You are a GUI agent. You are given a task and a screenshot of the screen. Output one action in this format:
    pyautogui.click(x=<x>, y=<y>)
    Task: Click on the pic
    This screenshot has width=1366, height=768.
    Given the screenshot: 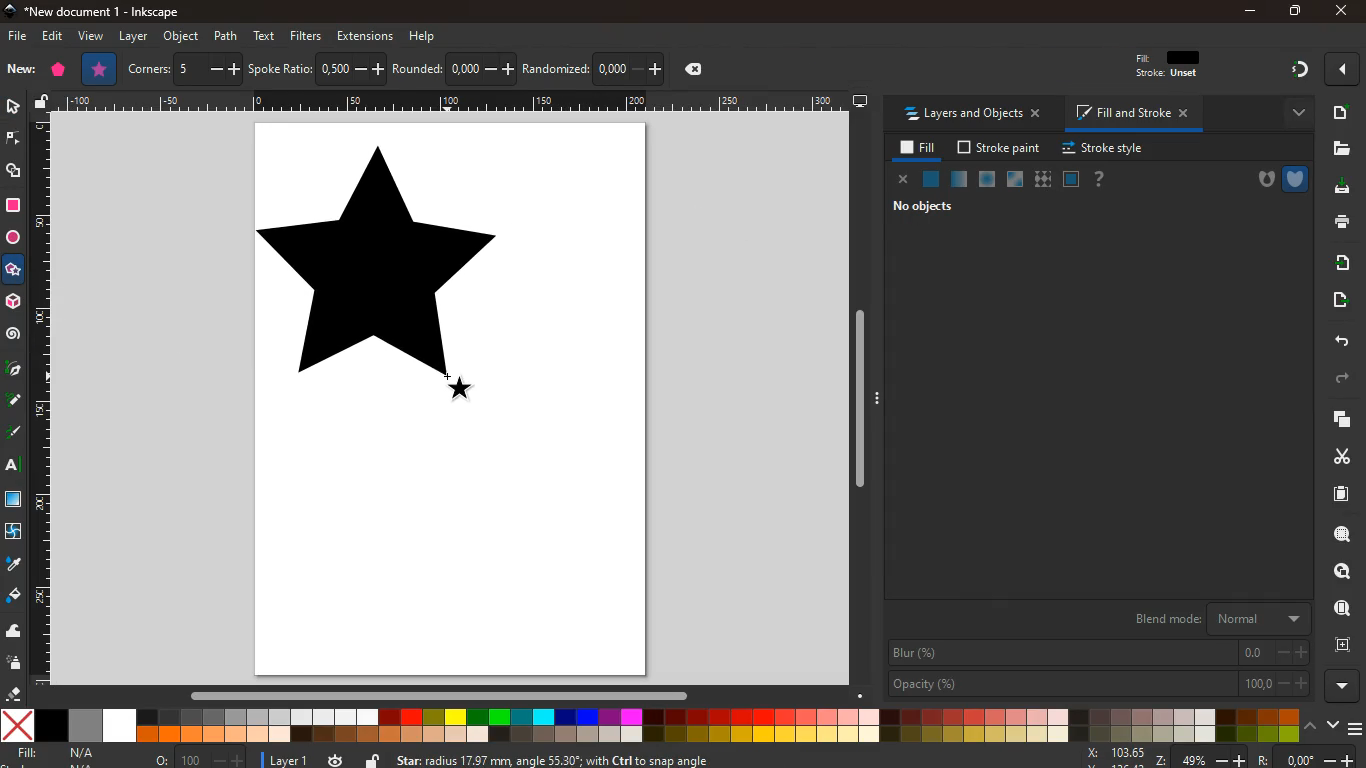 What is the action you would take?
    pyautogui.click(x=12, y=371)
    